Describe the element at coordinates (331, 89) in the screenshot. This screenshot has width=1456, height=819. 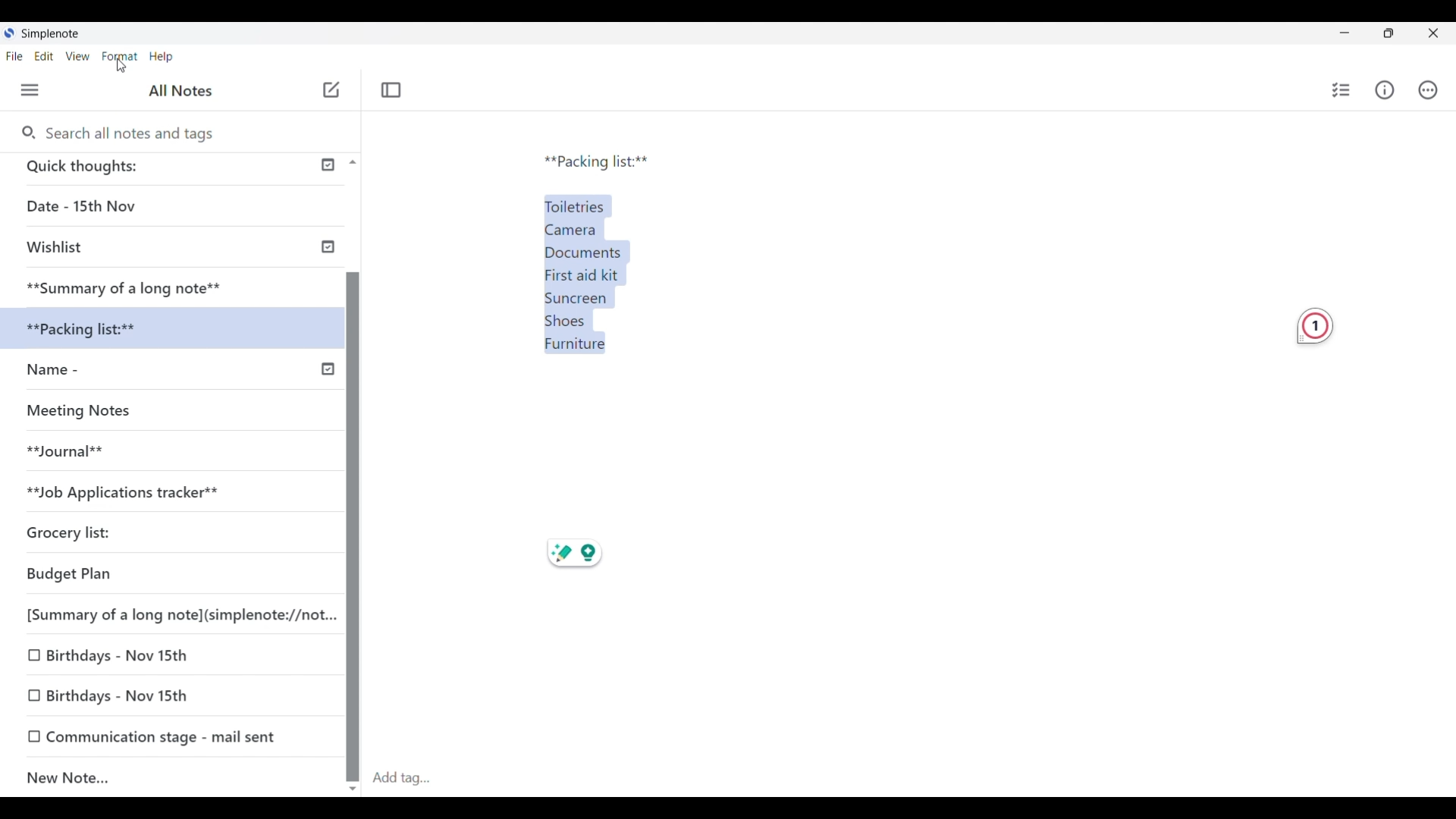
I see `Add new note` at that location.